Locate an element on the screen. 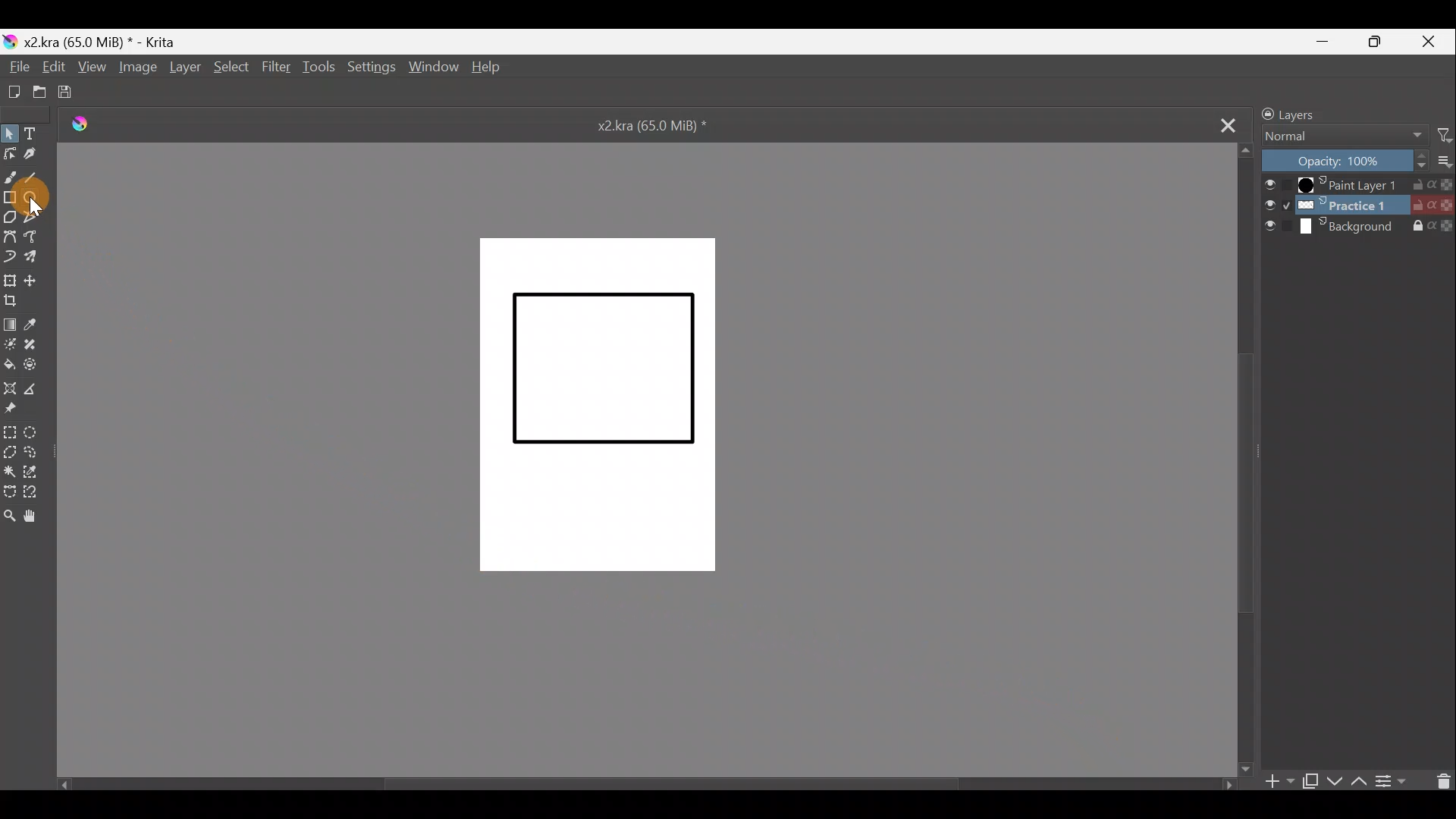  Calligraphy is located at coordinates (38, 155).